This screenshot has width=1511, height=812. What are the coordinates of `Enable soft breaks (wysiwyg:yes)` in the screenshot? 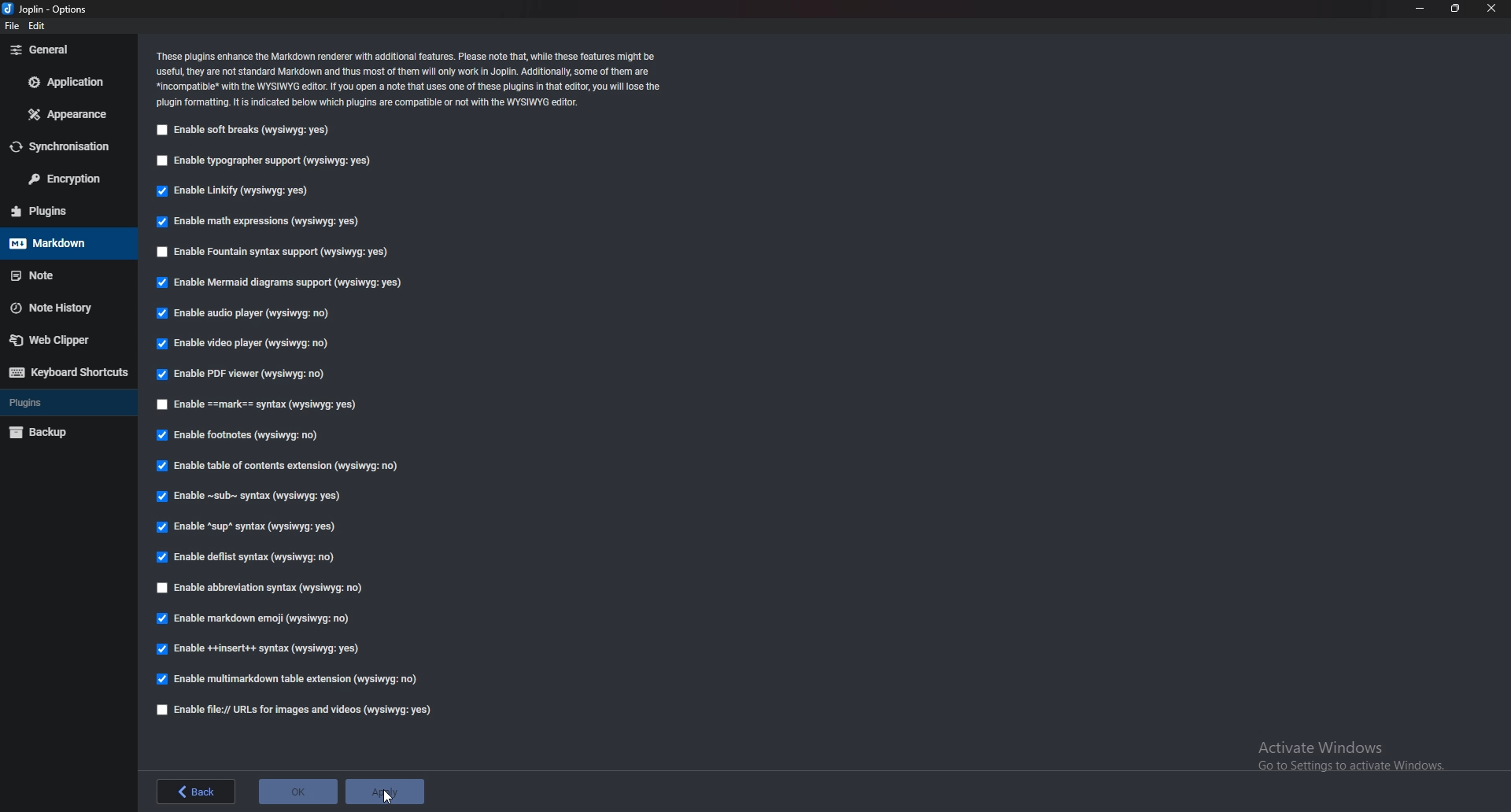 It's located at (248, 131).